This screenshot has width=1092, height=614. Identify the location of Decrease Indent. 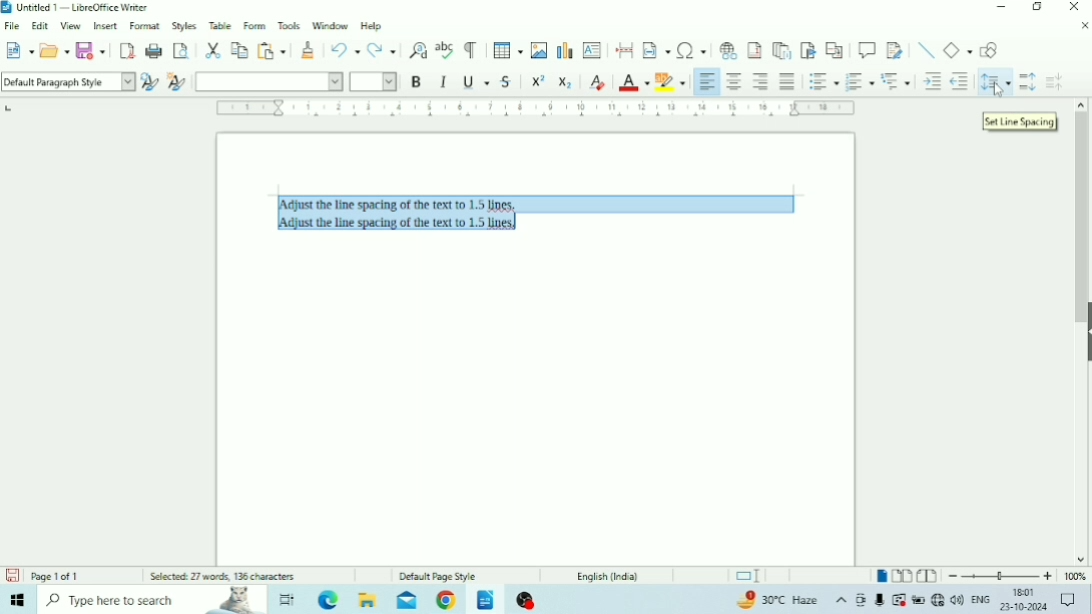
(960, 81).